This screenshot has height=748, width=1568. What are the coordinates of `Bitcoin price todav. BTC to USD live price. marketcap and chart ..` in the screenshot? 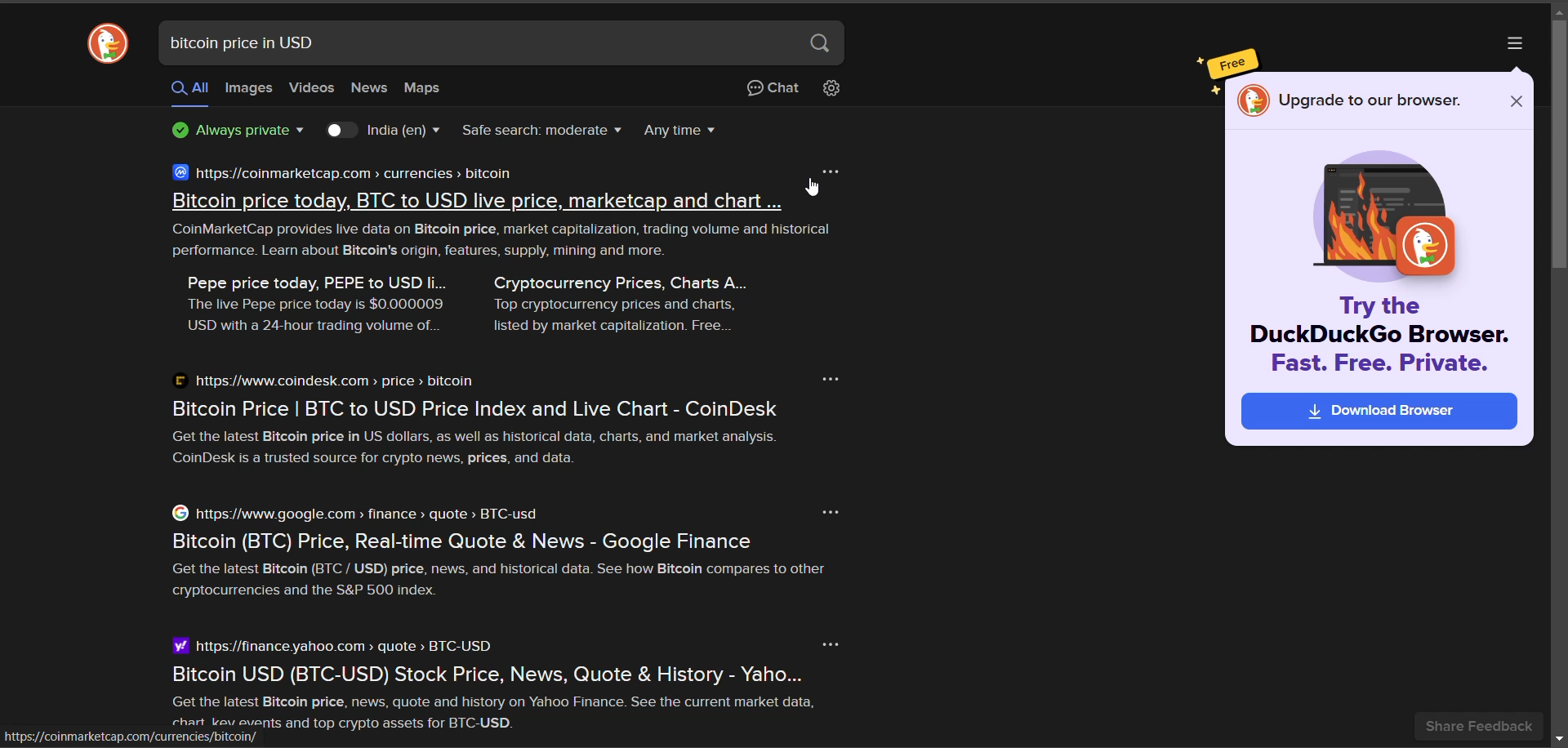 It's located at (461, 202).